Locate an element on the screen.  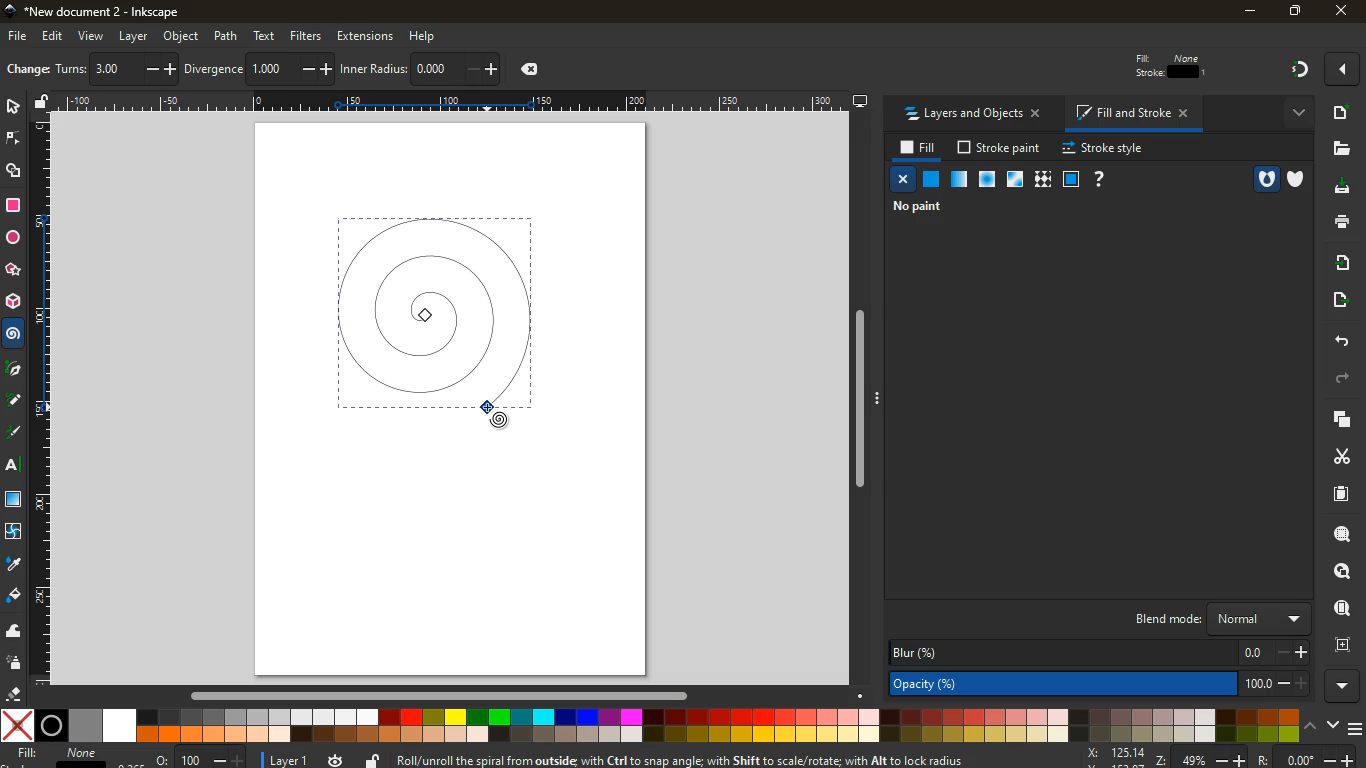
color is located at coordinates (649, 726).